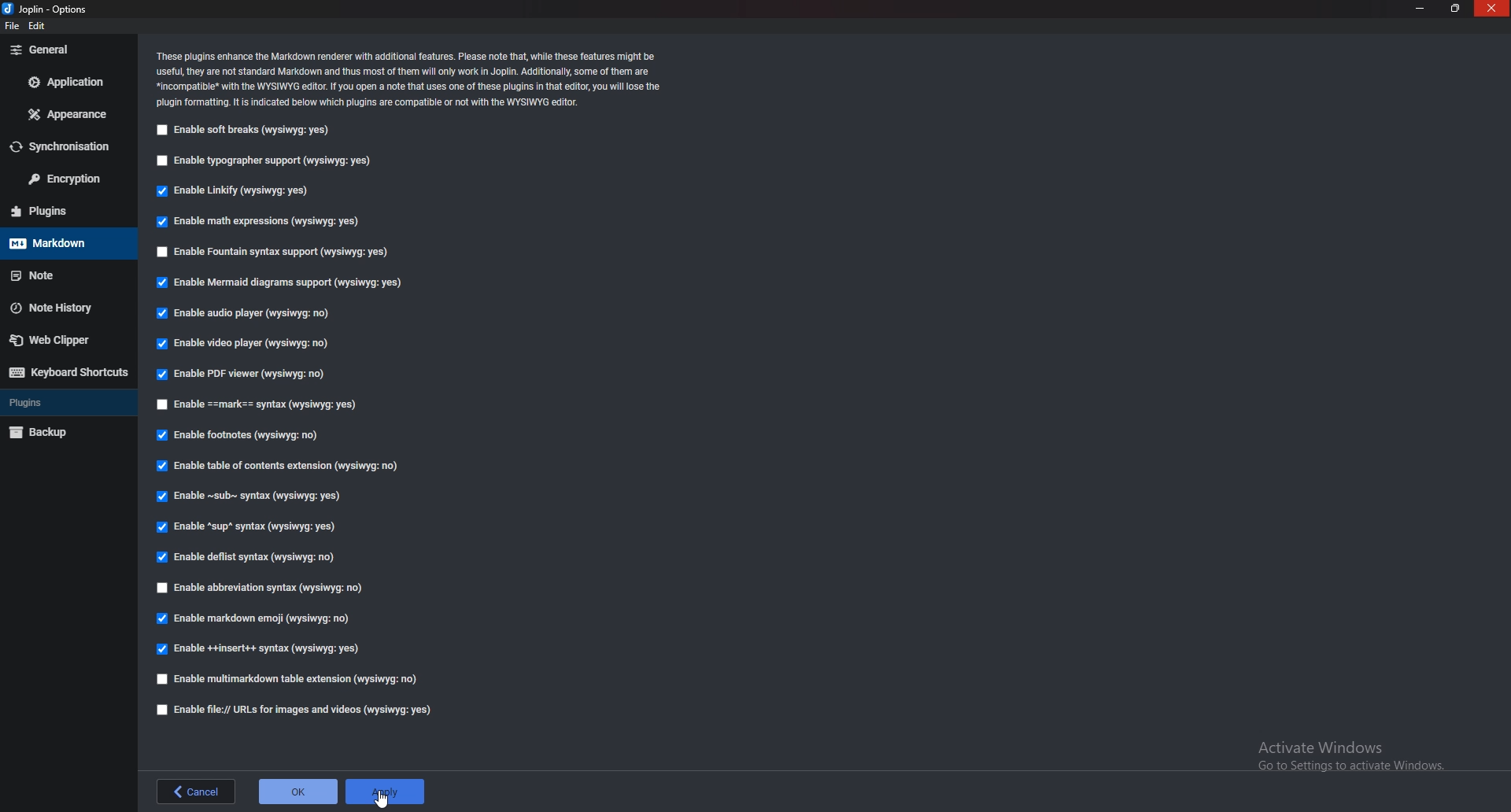 The width and height of the screenshot is (1511, 812). I want to click on note, so click(64, 277).